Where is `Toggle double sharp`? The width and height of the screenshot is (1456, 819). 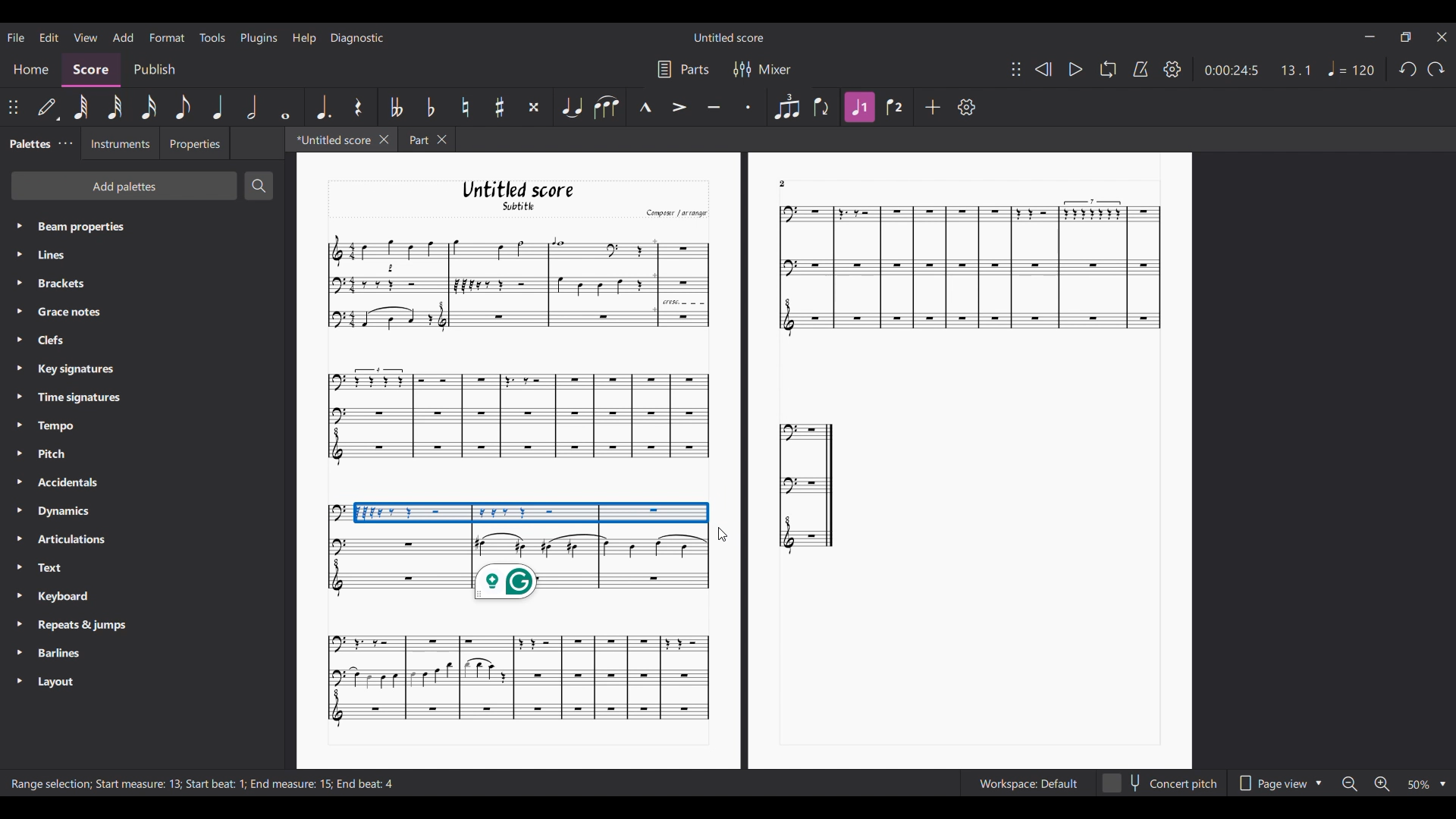 Toggle double sharp is located at coordinates (534, 107).